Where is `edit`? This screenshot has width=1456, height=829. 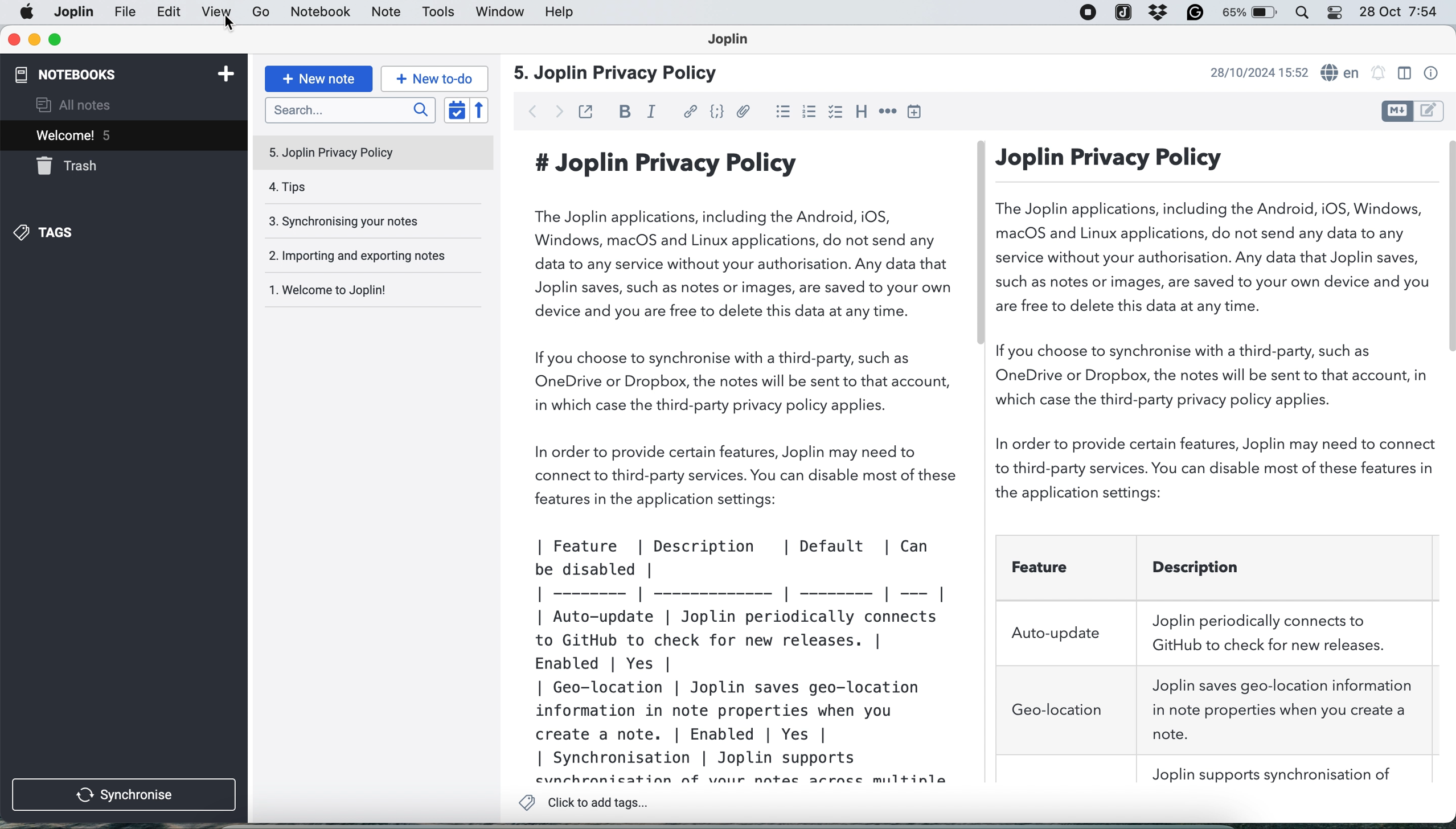
edit is located at coordinates (169, 13).